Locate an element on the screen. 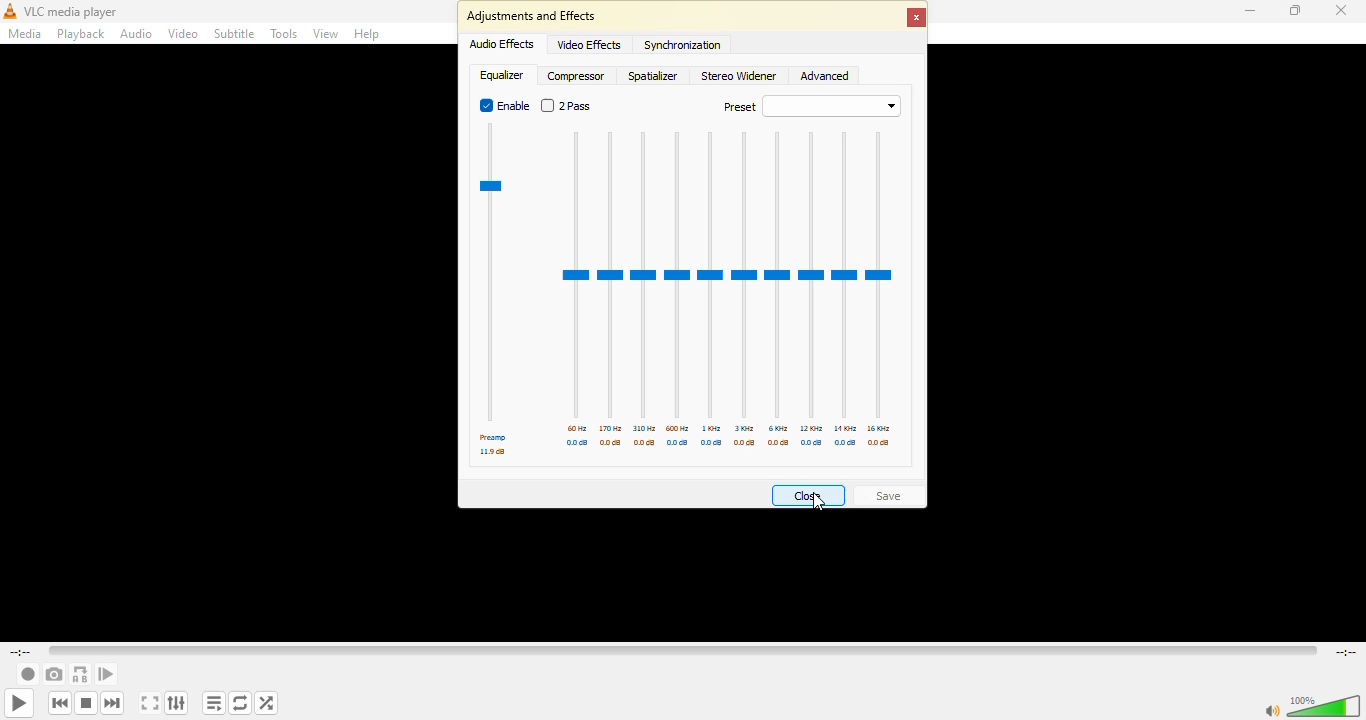 The height and width of the screenshot is (720, 1366). adjustor is located at coordinates (845, 273).